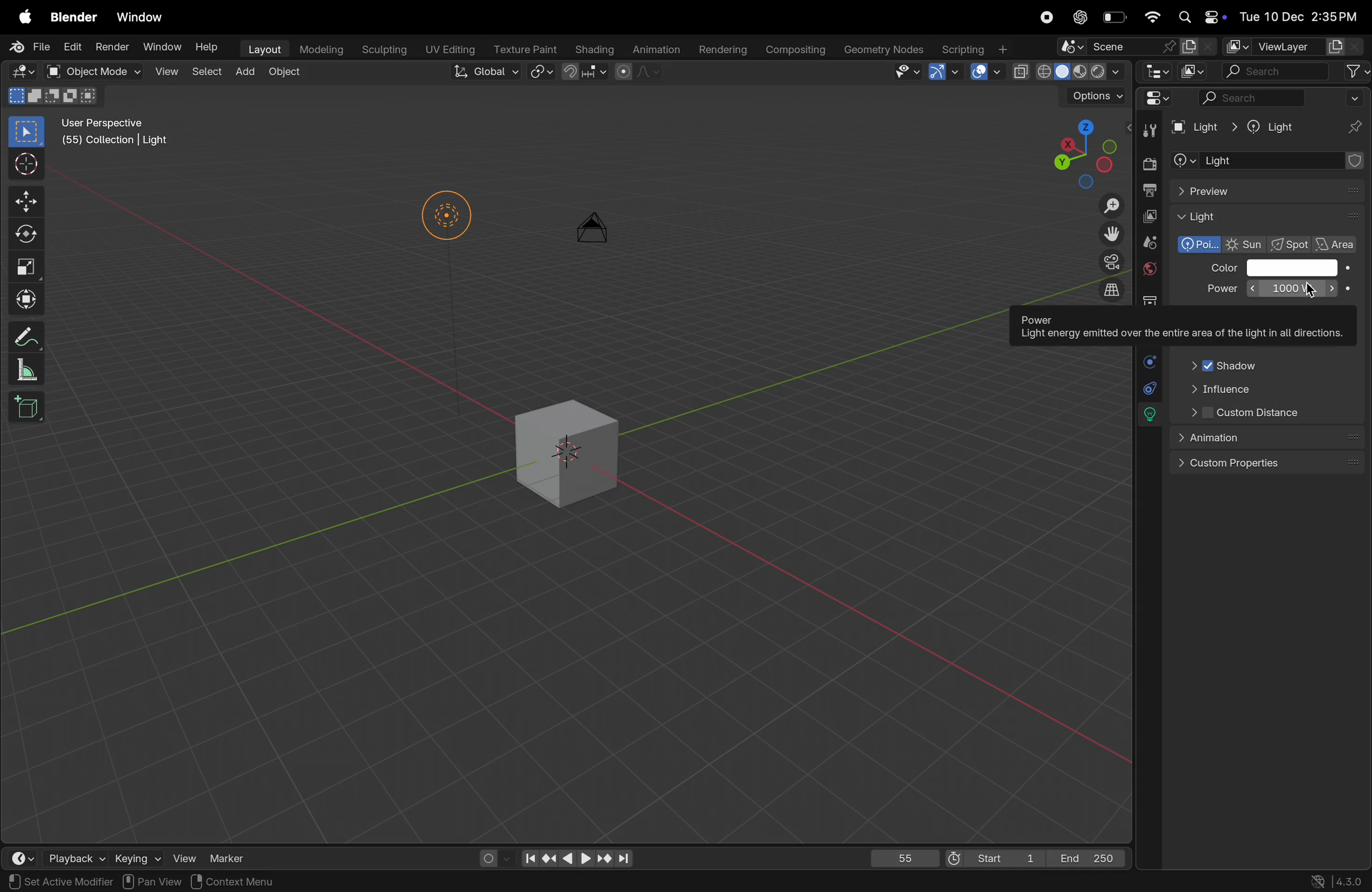 The image size is (1372, 892). I want to click on Show gimzo, so click(941, 71).